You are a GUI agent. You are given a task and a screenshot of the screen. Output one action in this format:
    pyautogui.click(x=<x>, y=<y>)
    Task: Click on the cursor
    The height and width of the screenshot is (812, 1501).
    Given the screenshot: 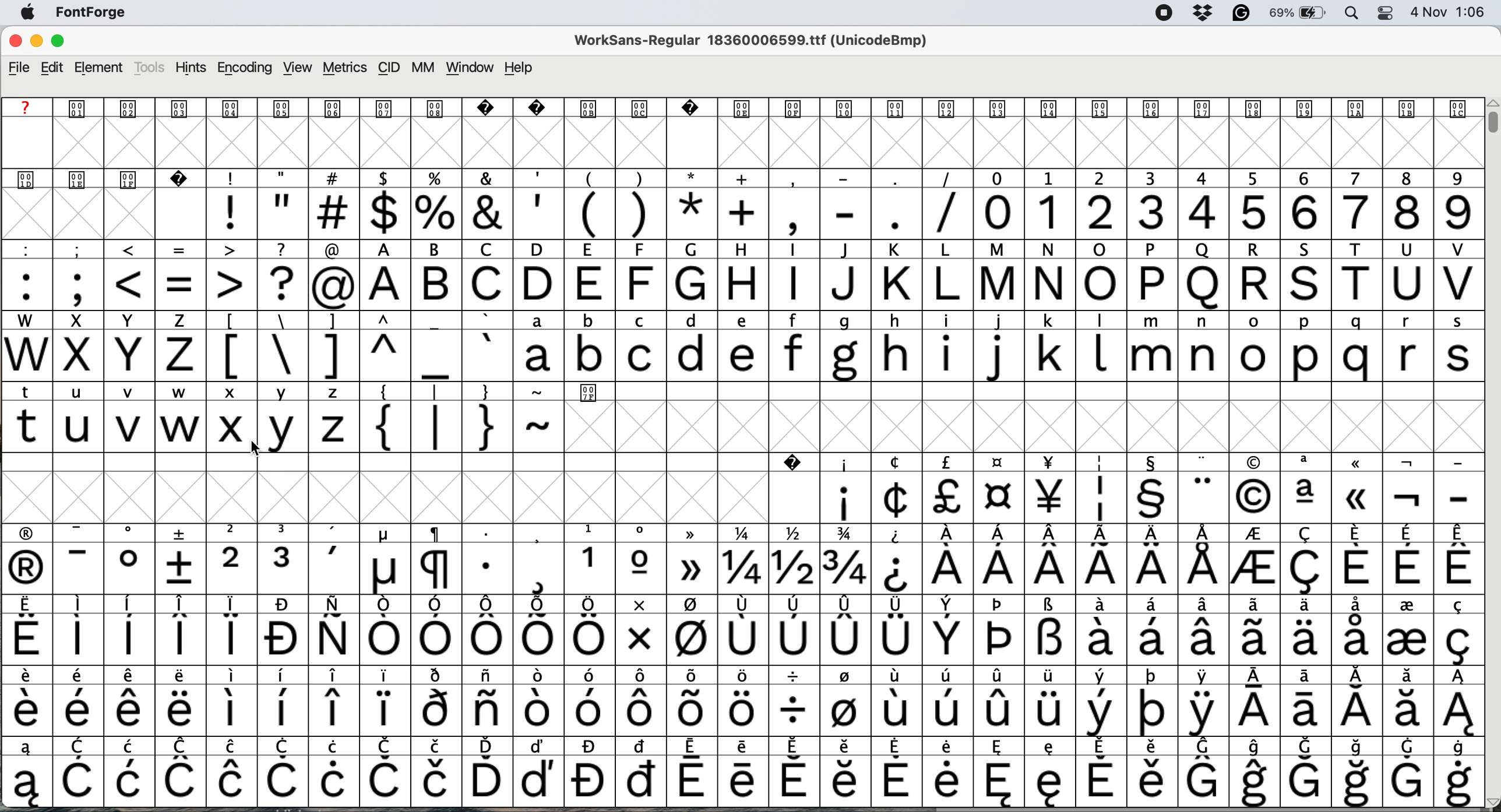 What is the action you would take?
    pyautogui.click(x=265, y=454)
    